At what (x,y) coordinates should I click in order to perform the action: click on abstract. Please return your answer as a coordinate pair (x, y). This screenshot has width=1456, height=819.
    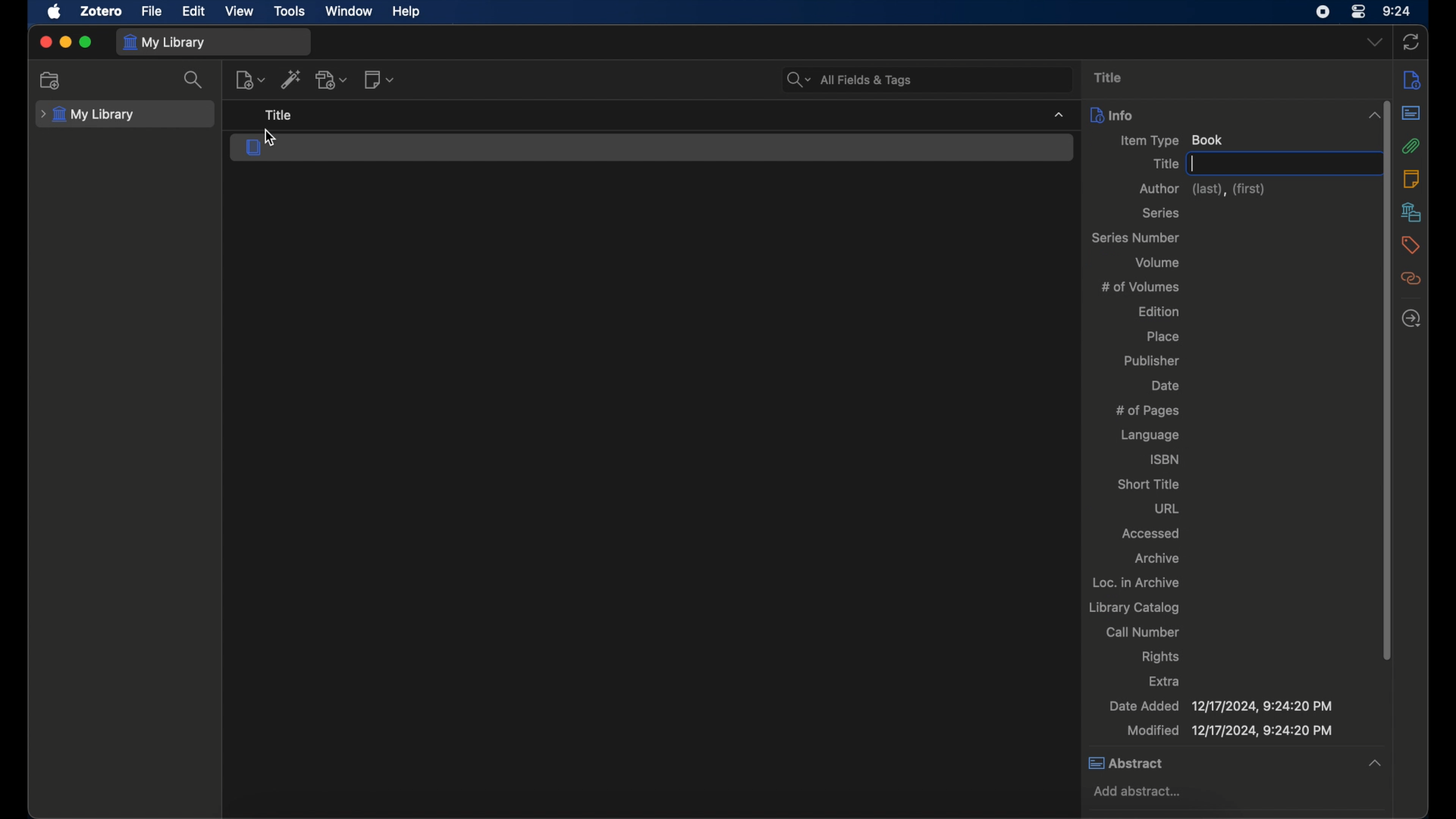
    Looking at the image, I should click on (1411, 113).